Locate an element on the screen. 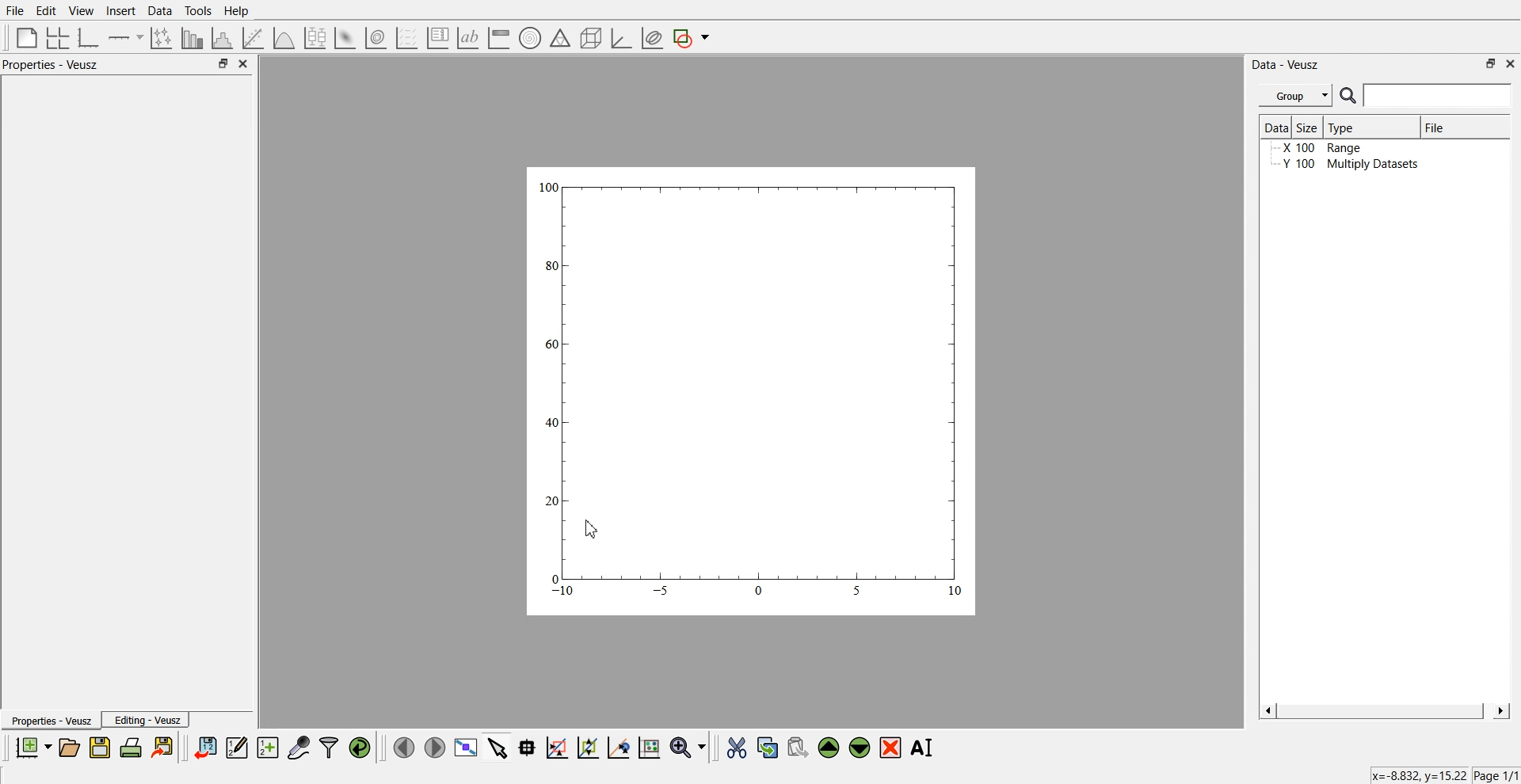 This screenshot has width=1521, height=784. move  the selected widgets down is located at coordinates (860, 746).